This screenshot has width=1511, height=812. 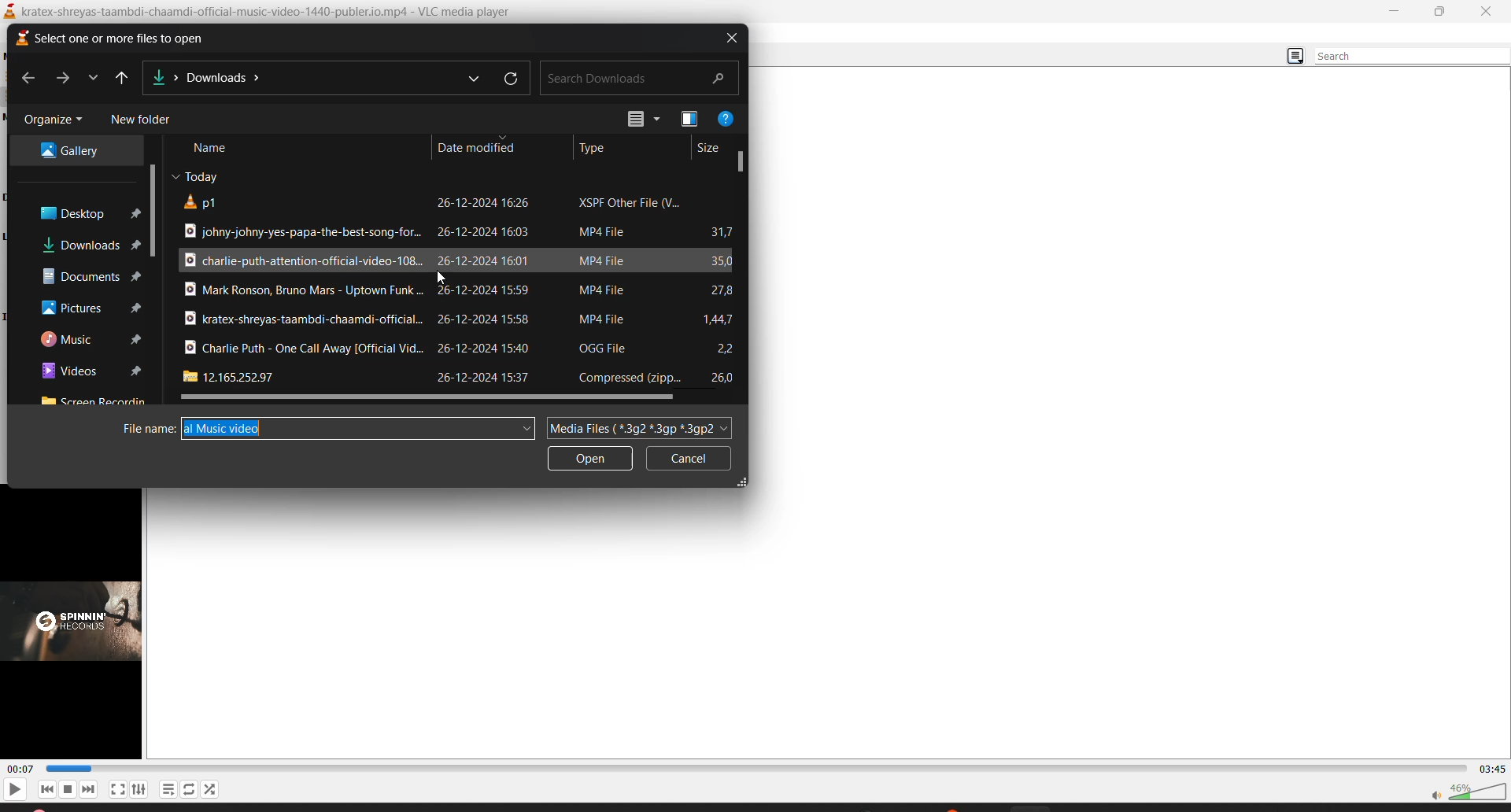 I want to click on file type, so click(x=610, y=234).